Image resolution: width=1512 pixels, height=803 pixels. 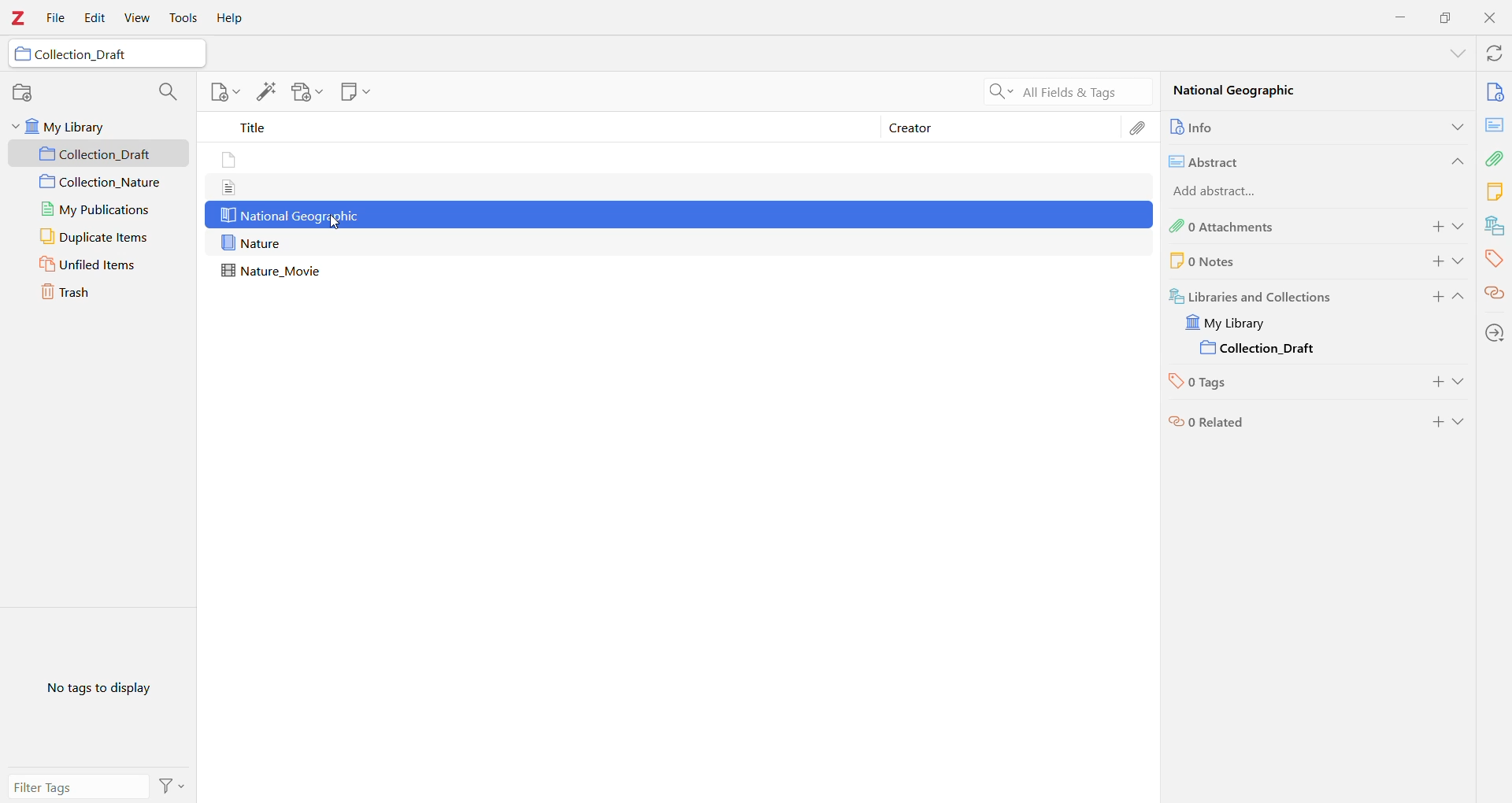 I want to click on File, so click(x=57, y=19).